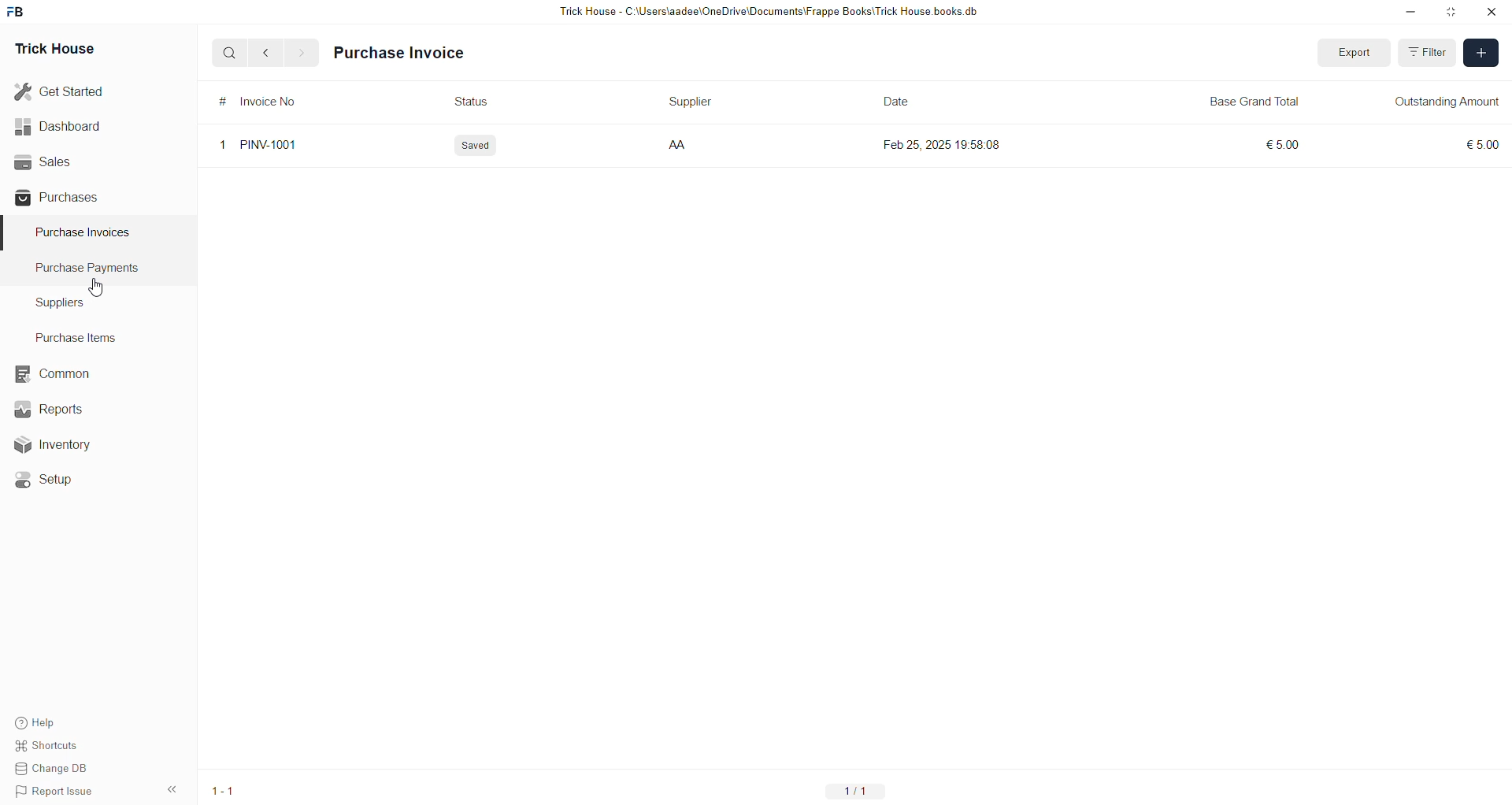  Describe the element at coordinates (691, 102) in the screenshot. I see `Supplier` at that location.